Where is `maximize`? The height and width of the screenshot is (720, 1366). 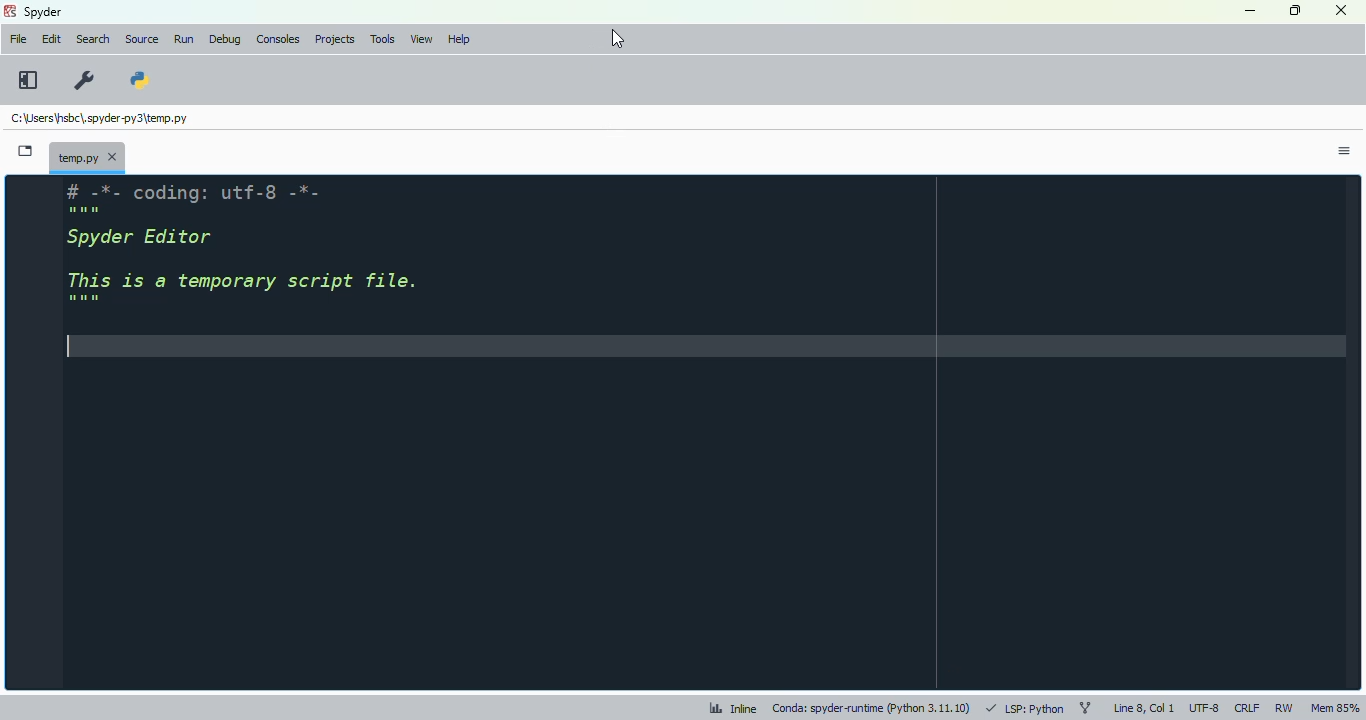 maximize is located at coordinates (1297, 10).